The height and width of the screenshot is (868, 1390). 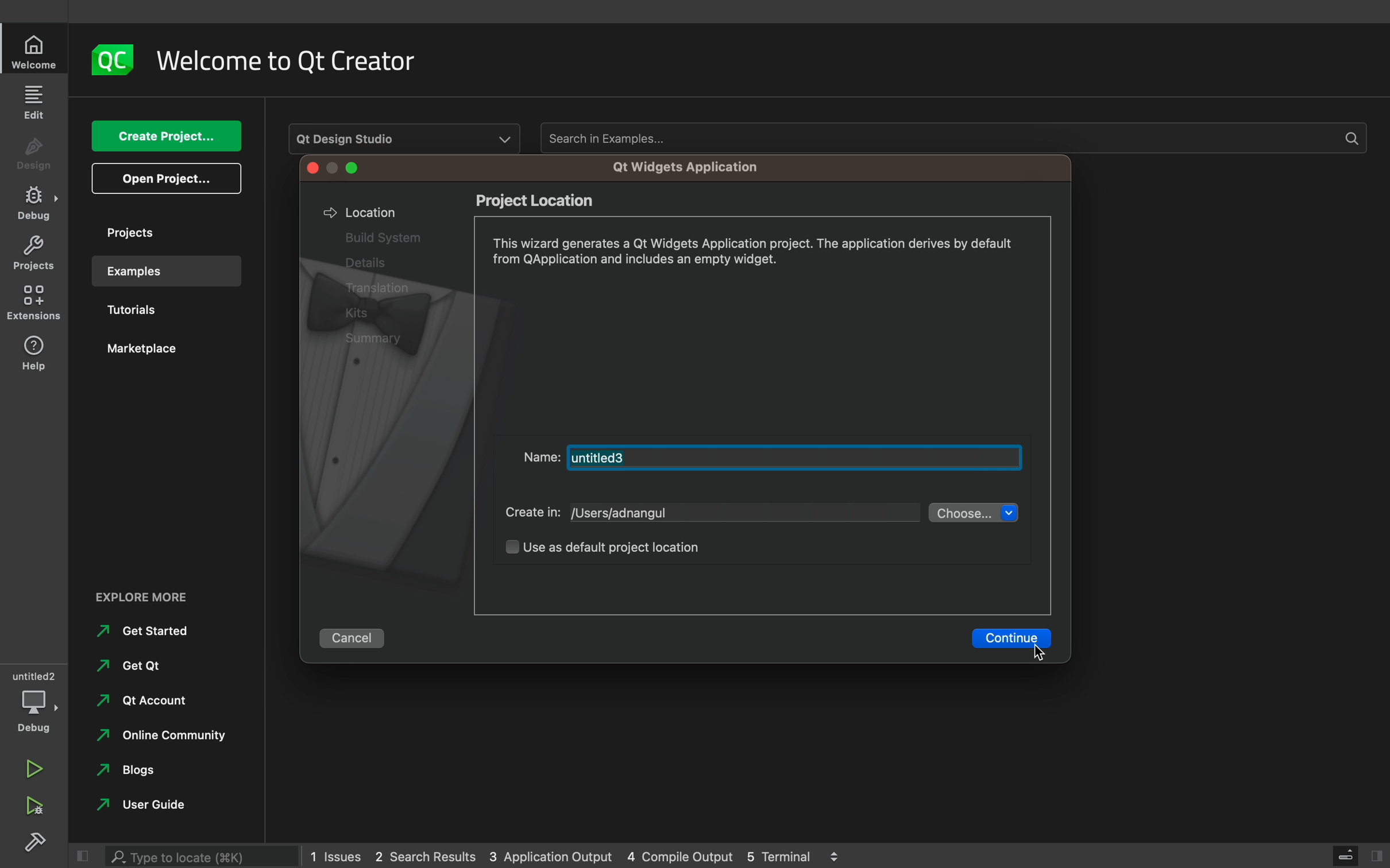 What do you see at coordinates (402, 133) in the screenshot?
I see `Qt Design` at bounding box center [402, 133].